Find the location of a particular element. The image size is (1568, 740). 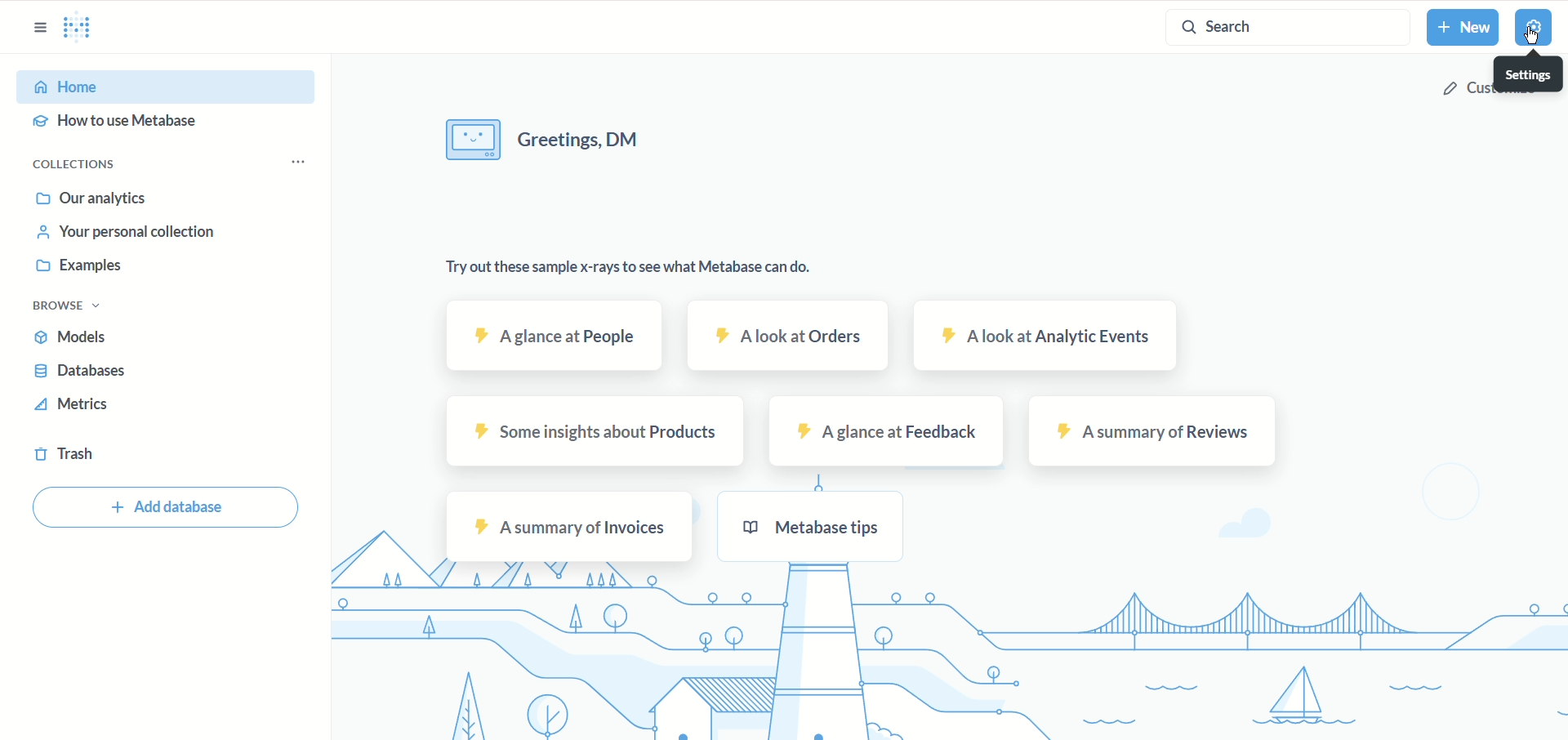

a look at Analytic events is located at coordinates (1053, 335).